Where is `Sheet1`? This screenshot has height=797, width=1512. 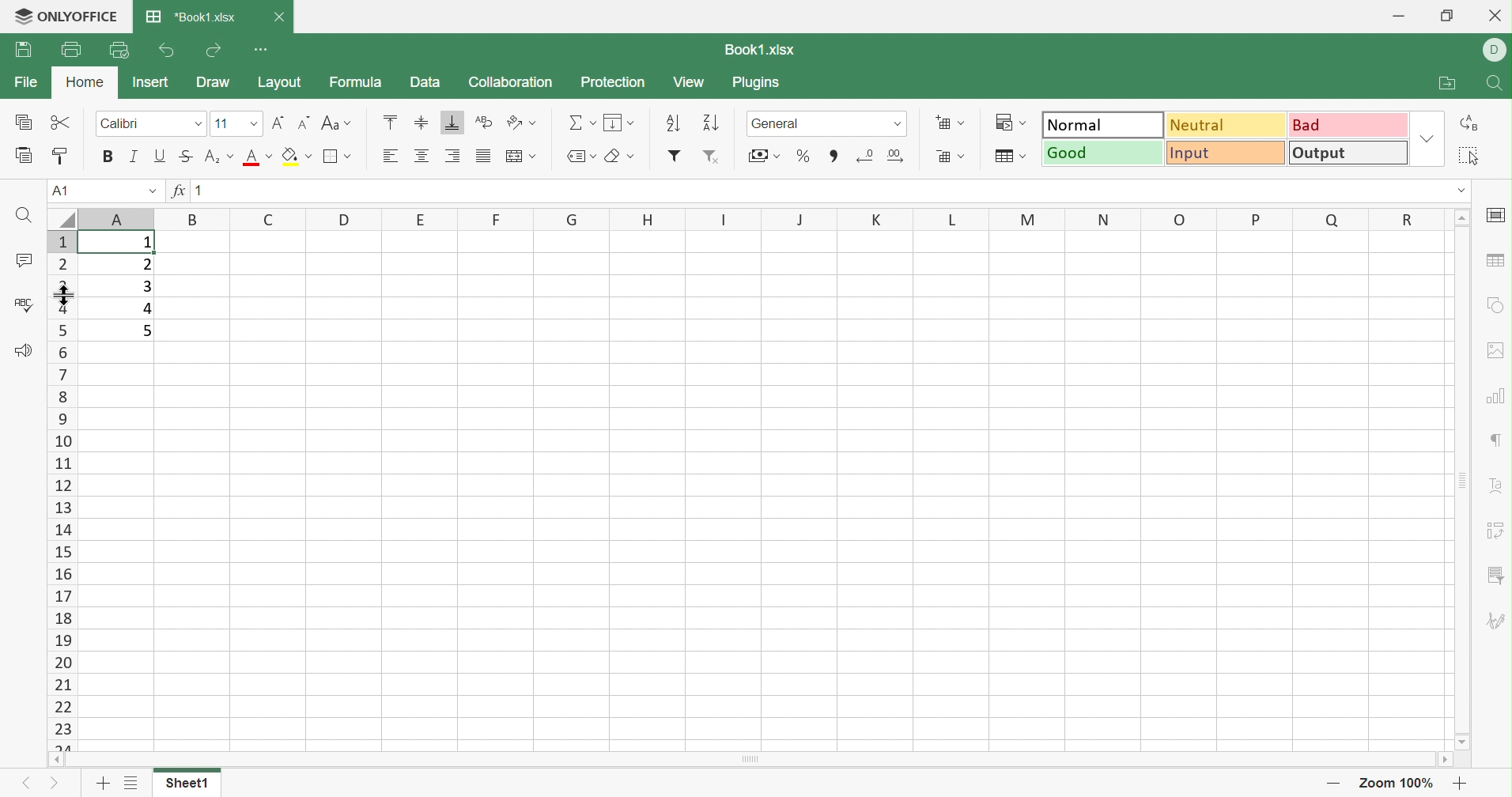 Sheet1 is located at coordinates (189, 784).